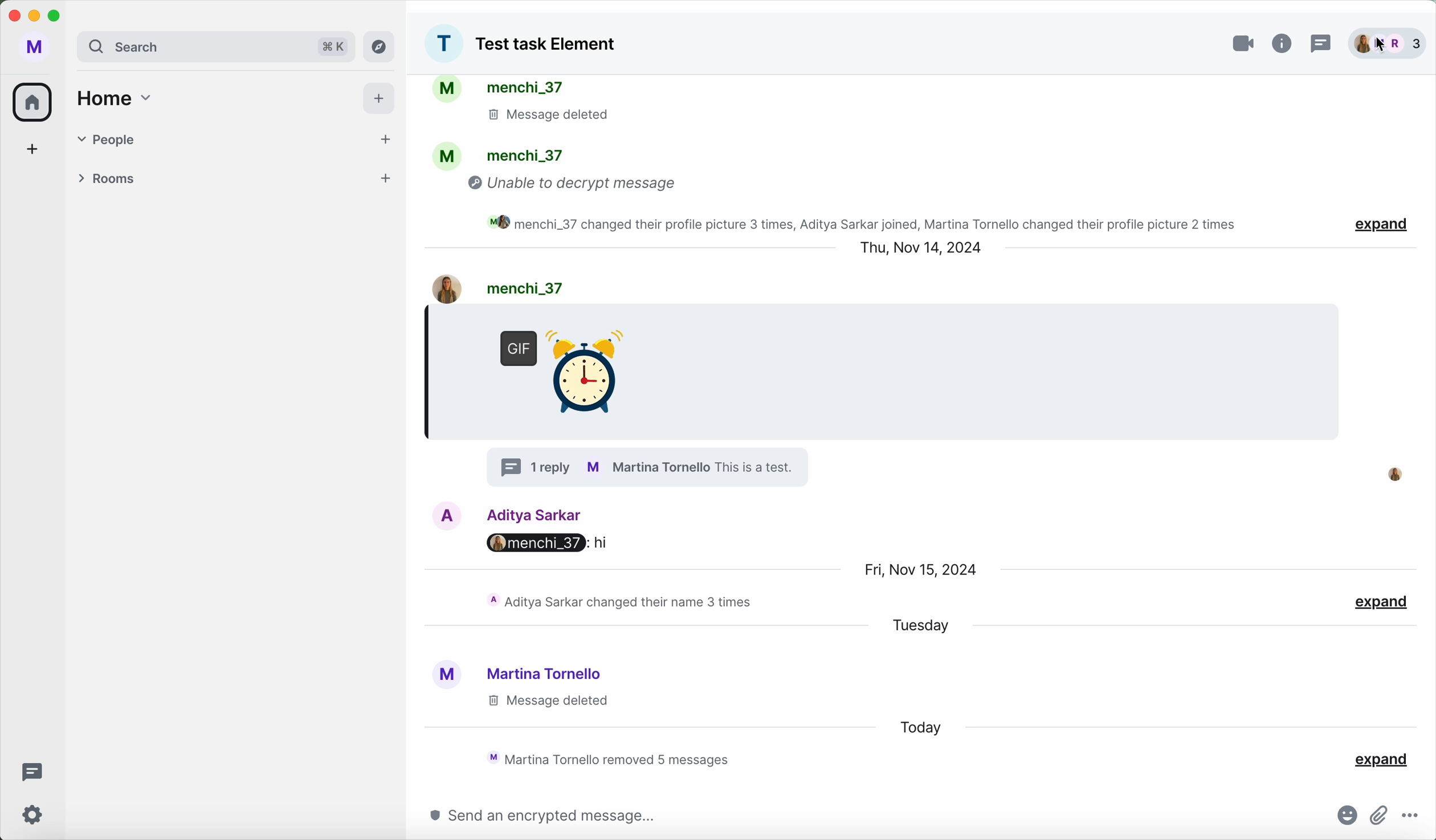  What do you see at coordinates (443, 44) in the screenshot?
I see `profile picture` at bounding box center [443, 44].